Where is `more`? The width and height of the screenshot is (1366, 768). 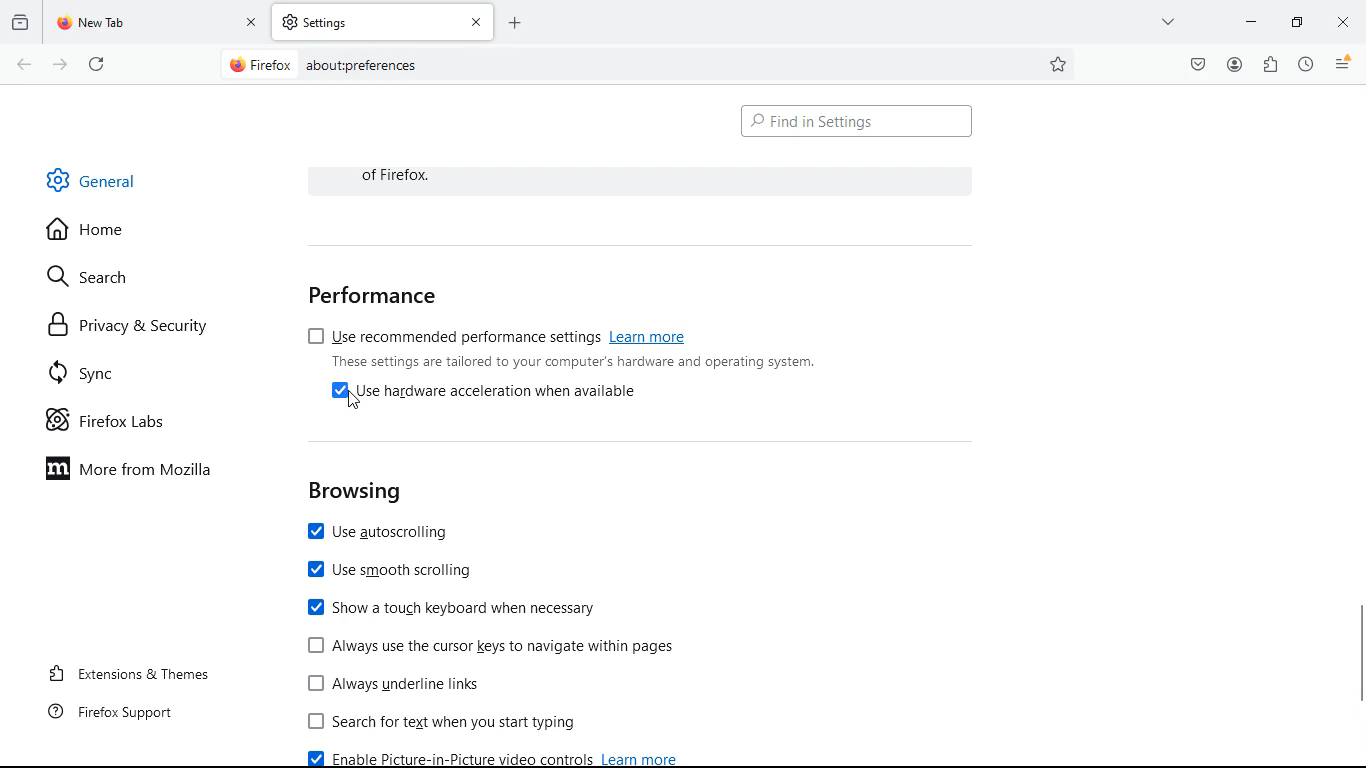 more is located at coordinates (1170, 21).